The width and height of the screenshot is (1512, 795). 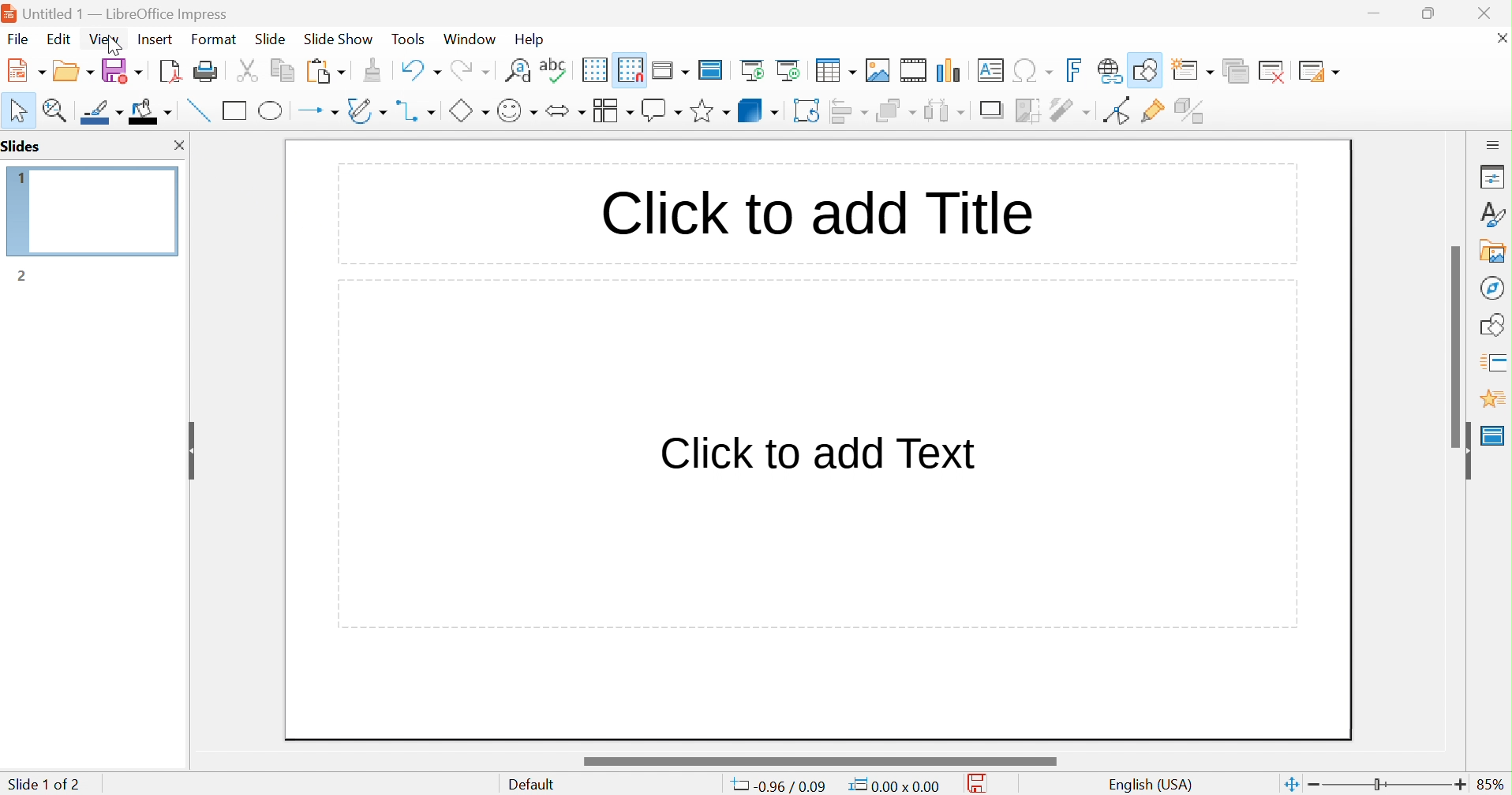 I want to click on tools, so click(x=410, y=39).